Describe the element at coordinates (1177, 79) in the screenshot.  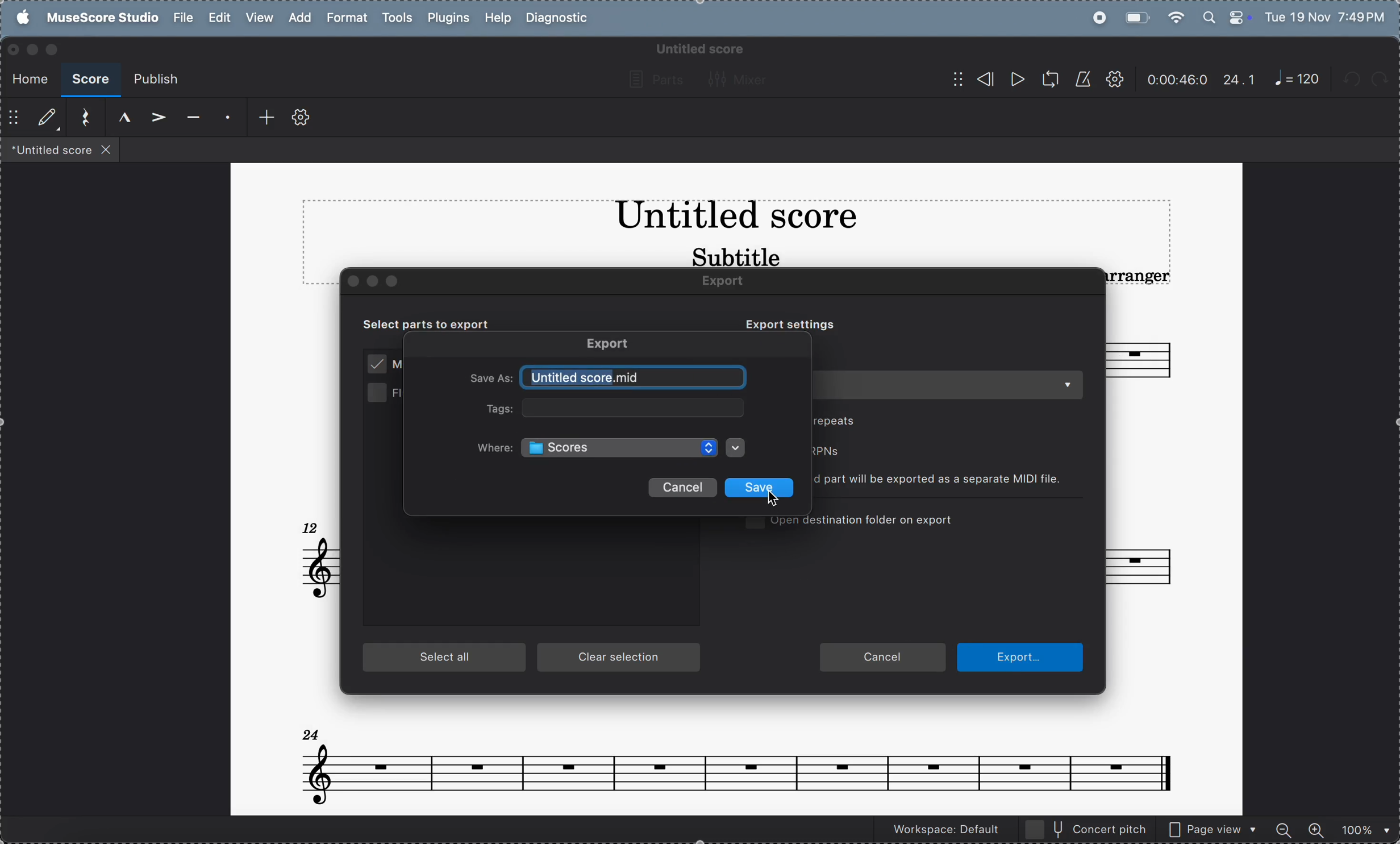
I see `timeframe` at that location.